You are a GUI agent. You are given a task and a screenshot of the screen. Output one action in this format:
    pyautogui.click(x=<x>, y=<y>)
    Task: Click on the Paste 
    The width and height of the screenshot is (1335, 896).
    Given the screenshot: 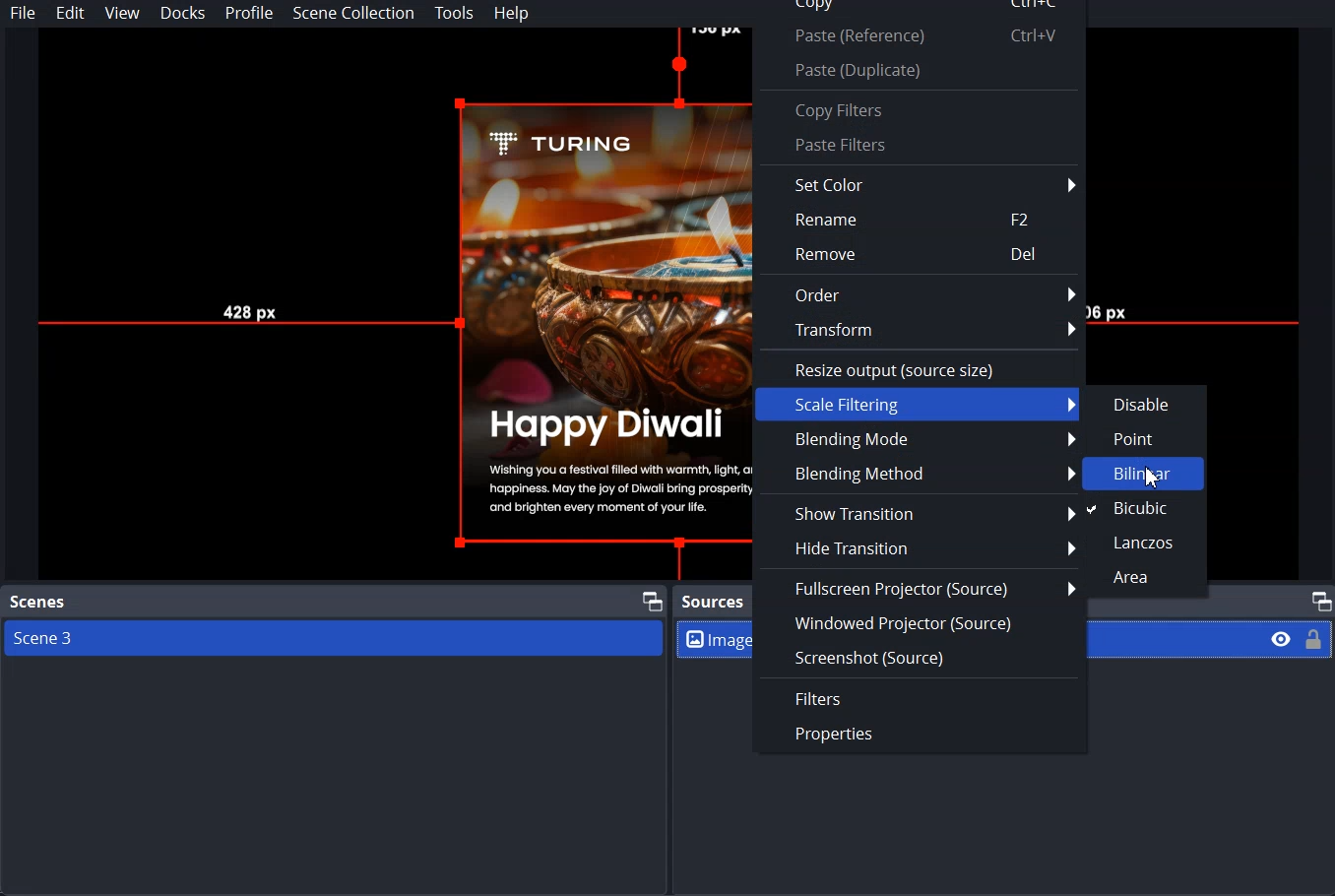 What is the action you would take?
    pyautogui.click(x=919, y=69)
    